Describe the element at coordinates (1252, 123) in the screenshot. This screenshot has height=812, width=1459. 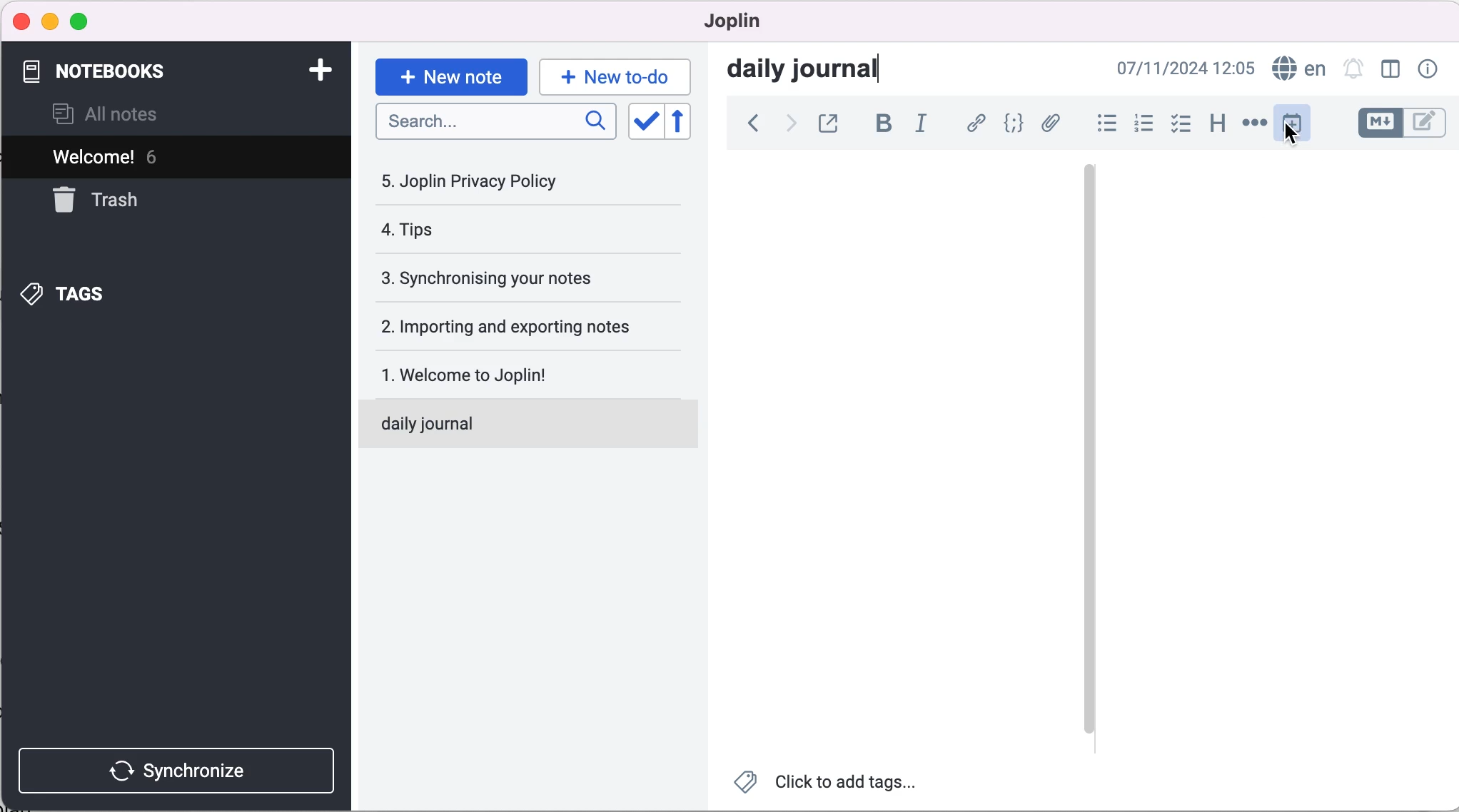
I see `horizontal rule` at that location.